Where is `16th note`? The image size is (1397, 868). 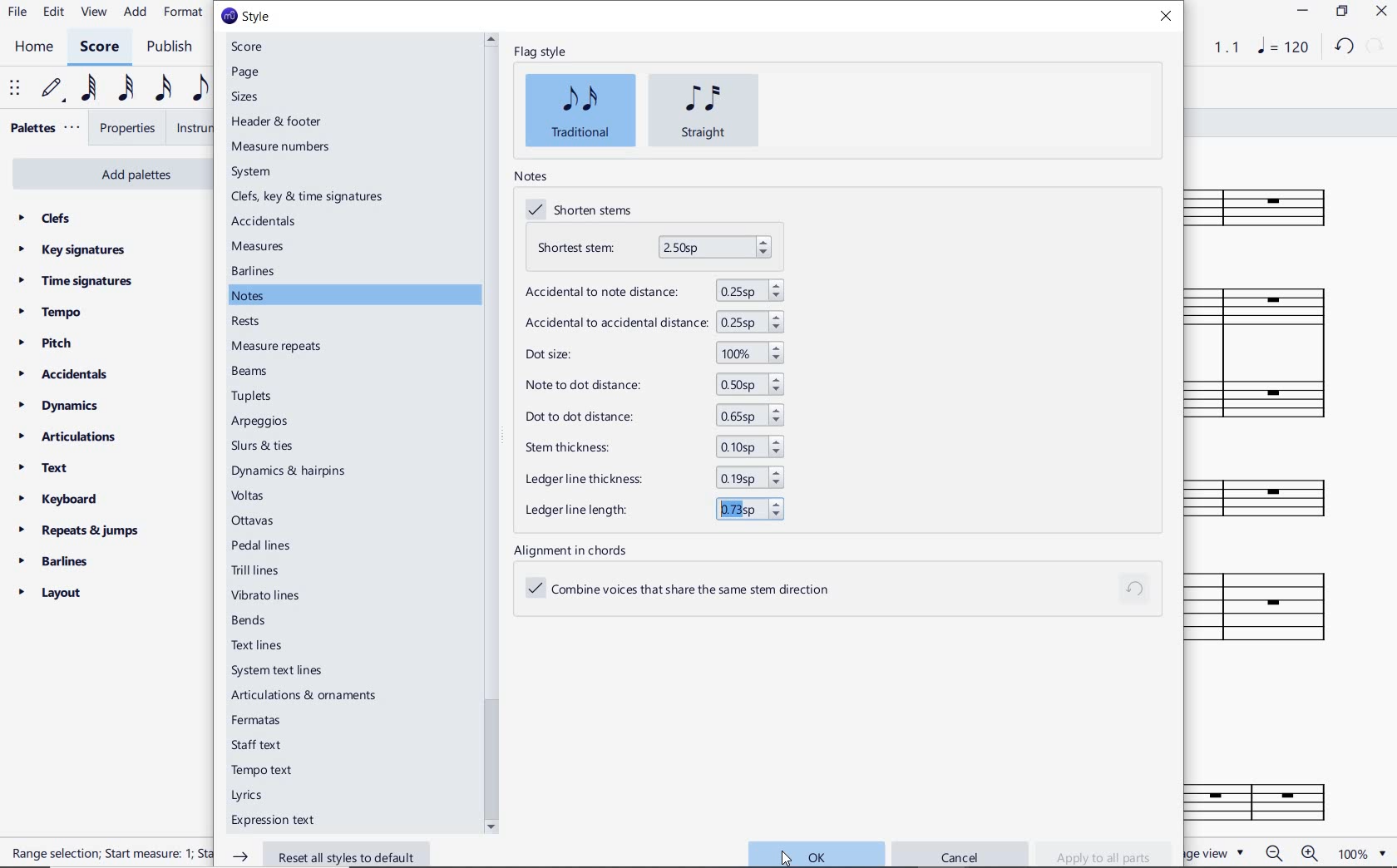 16th note is located at coordinates (165, 91).